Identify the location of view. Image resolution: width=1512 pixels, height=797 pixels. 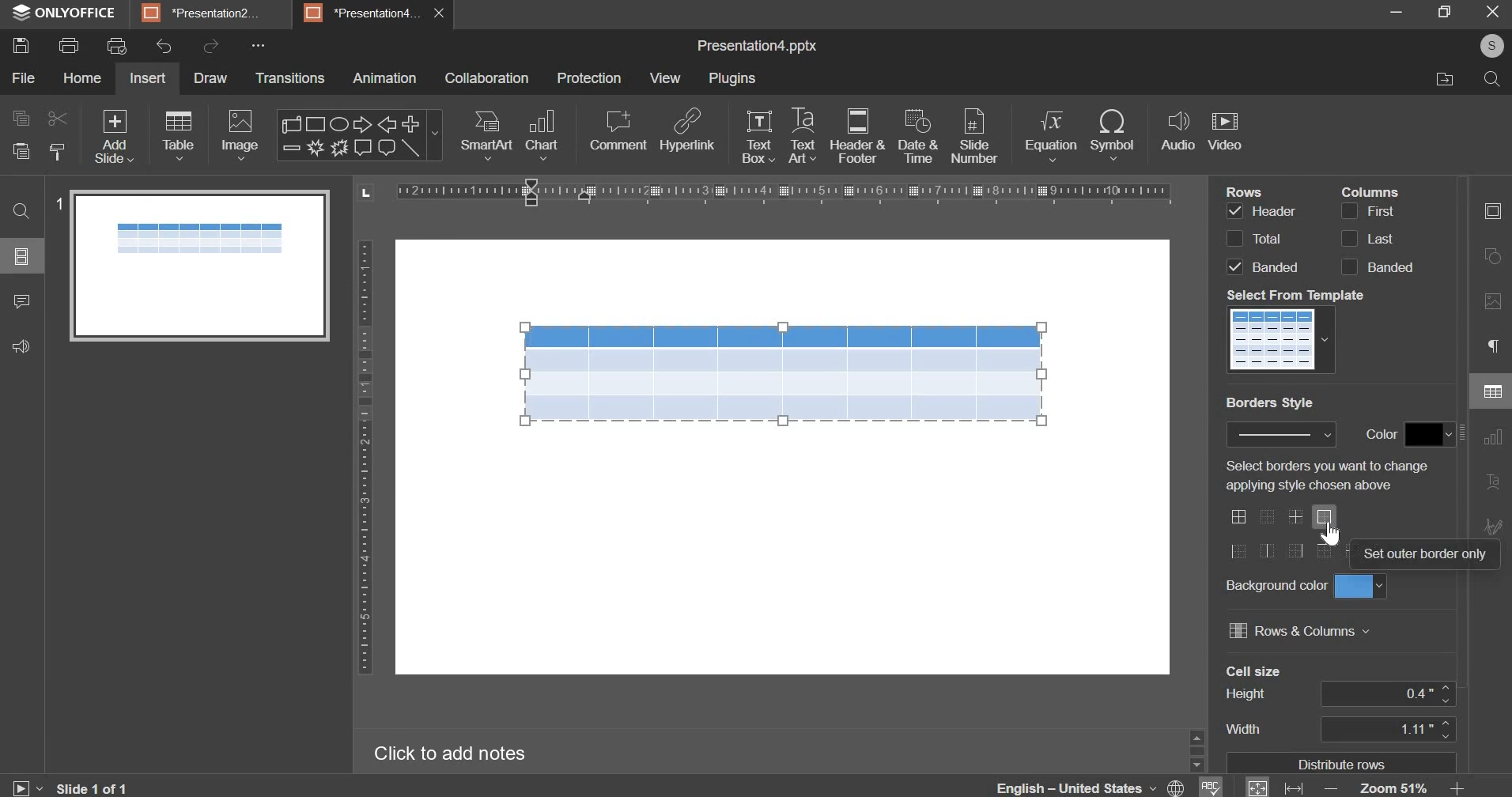
(667, 77).